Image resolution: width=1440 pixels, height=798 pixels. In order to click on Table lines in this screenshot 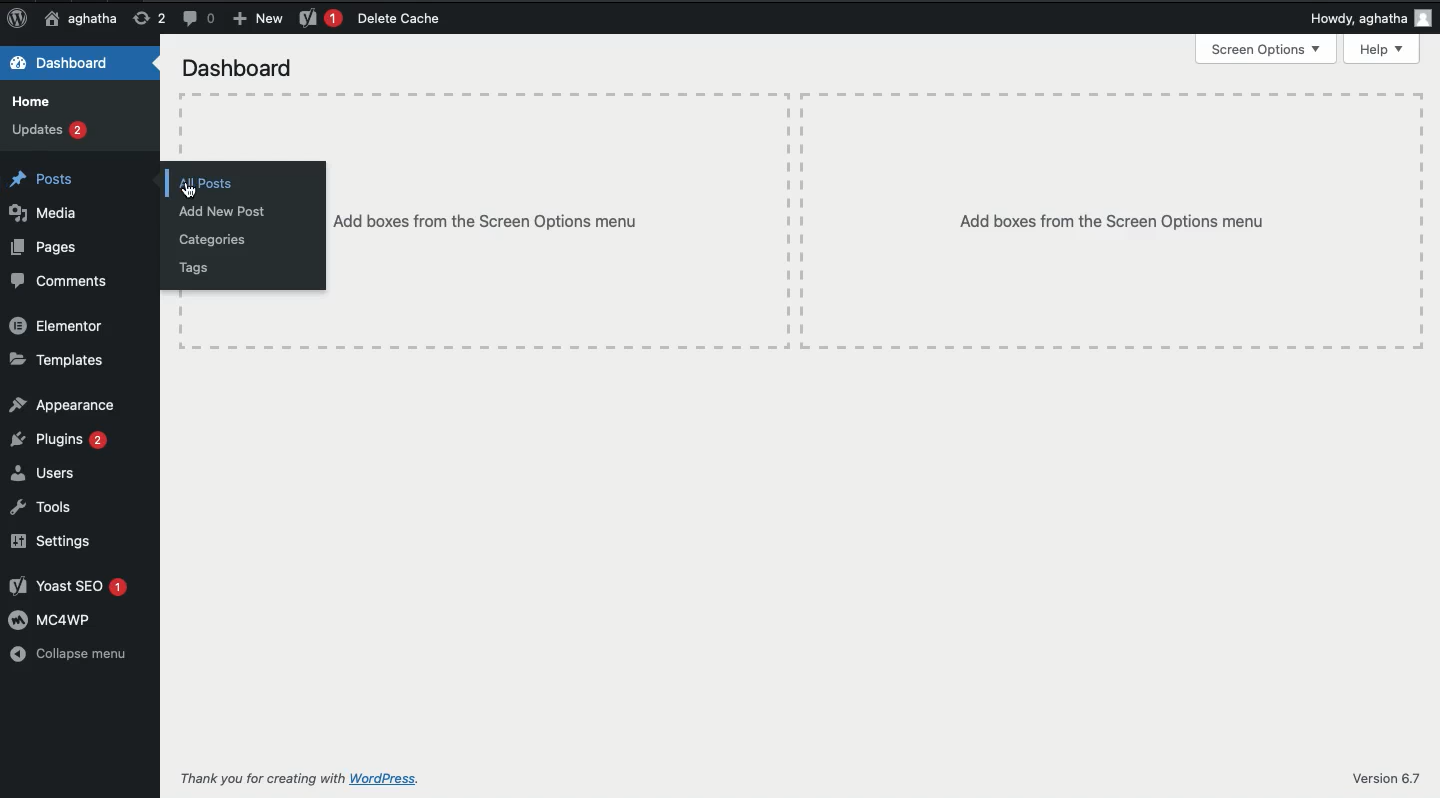, I will do `click(795, 218)`.